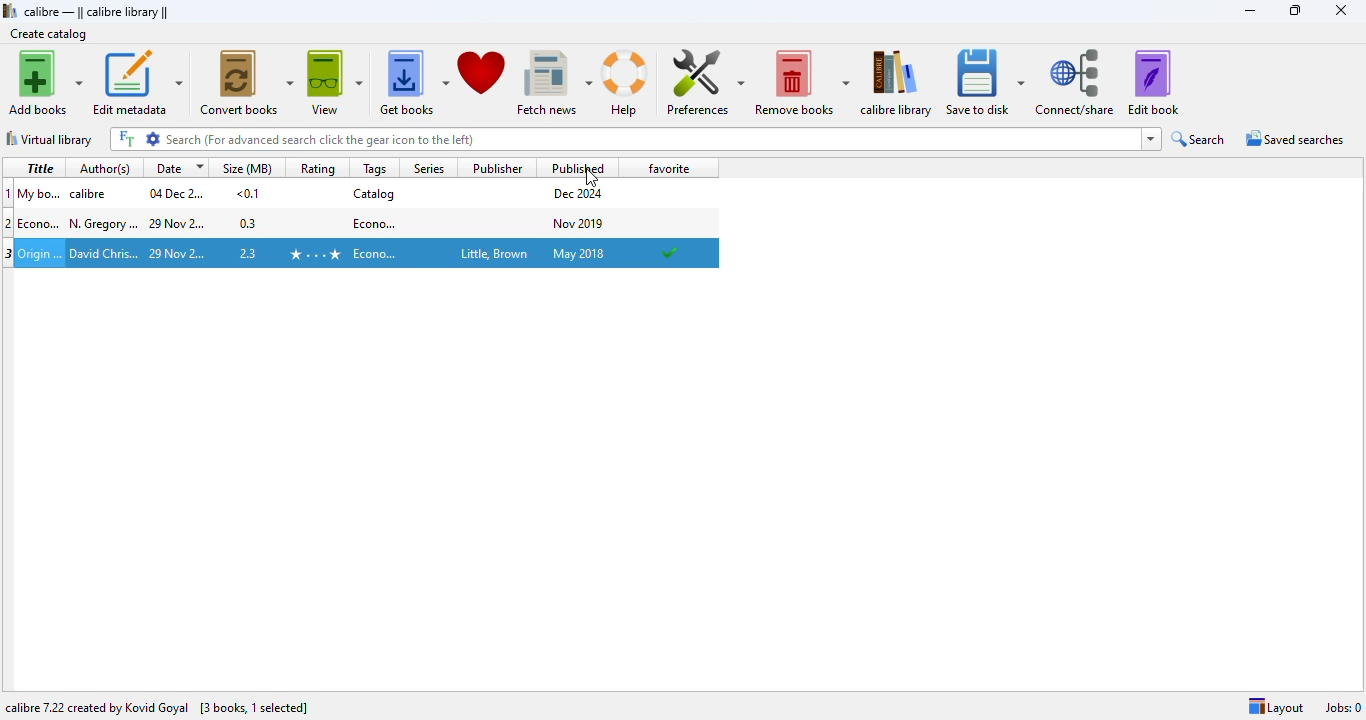 Image resolution: width=1366 pixels, height=720 pixels. What do you see at coordinates (335, 83) in the screenshot?
I see `view` at bounding box center [335, 83].